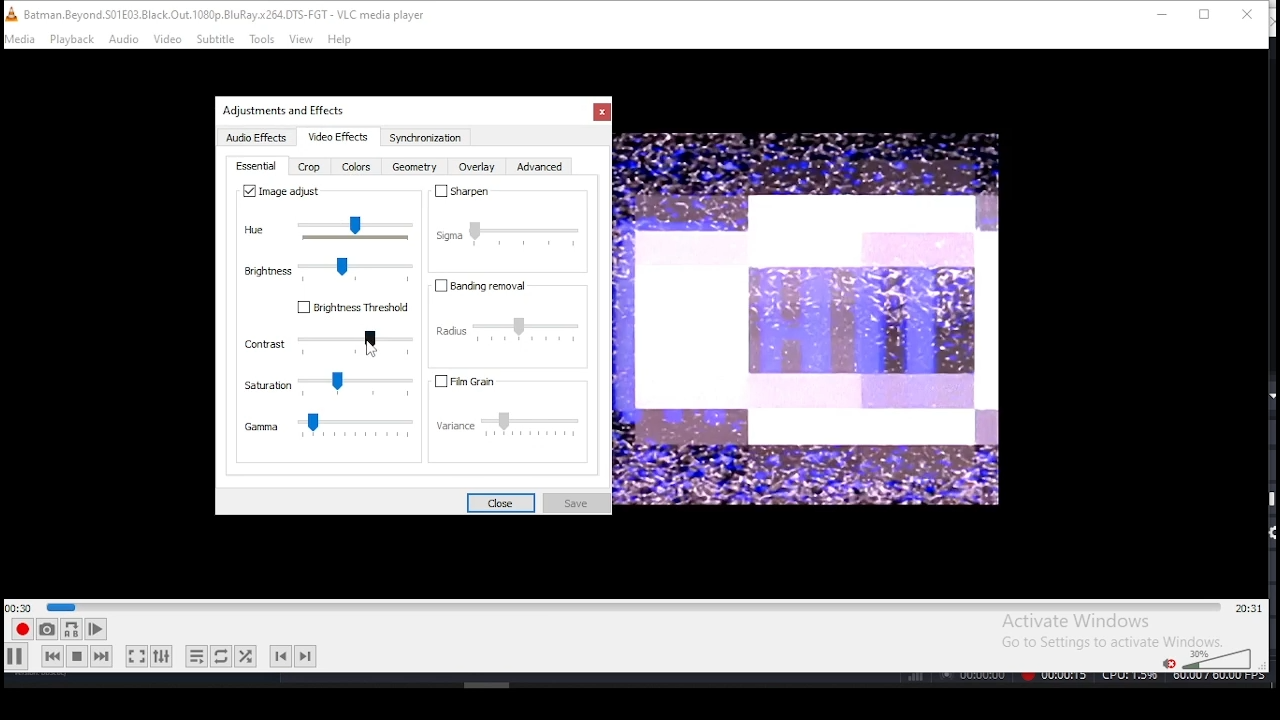 The height and width of the screenshot is (720, 1280). What do you see at coordinates (94, 629) in the screenshot?
I see `frame by frame` at bounding box center [94, 629].